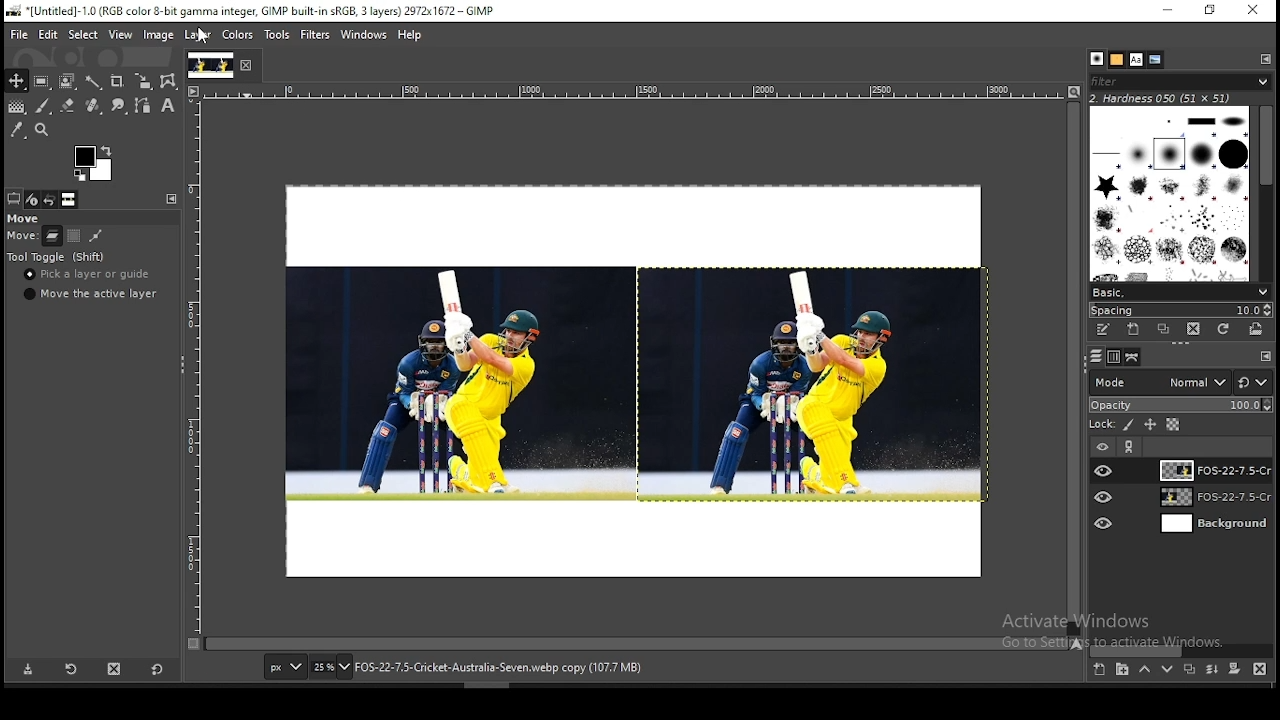  I want to click on new layer , so click(1098, 671).